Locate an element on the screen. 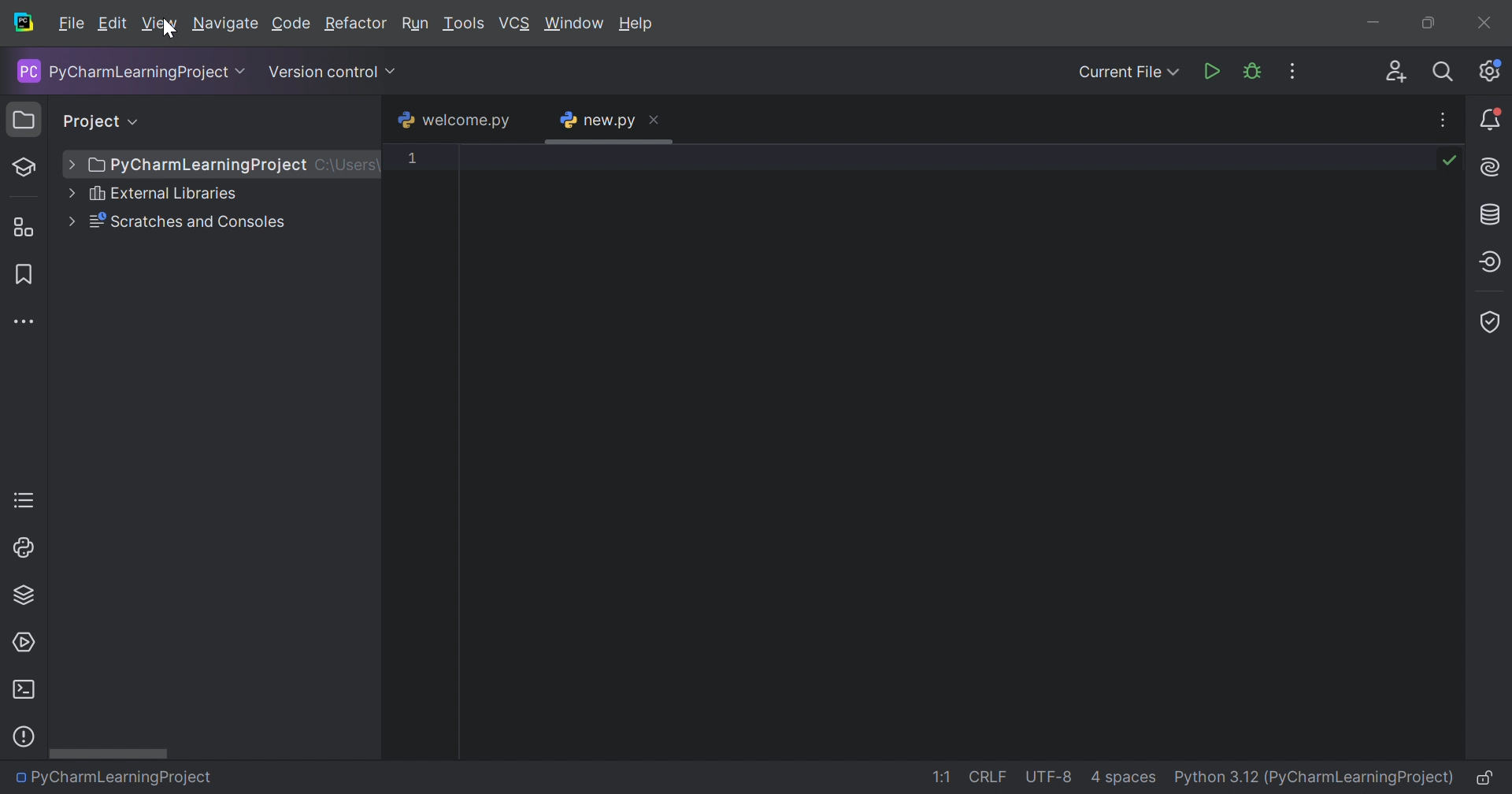 This screenshot has height=794, width=1512. Project is located at coordinates (98, 122).